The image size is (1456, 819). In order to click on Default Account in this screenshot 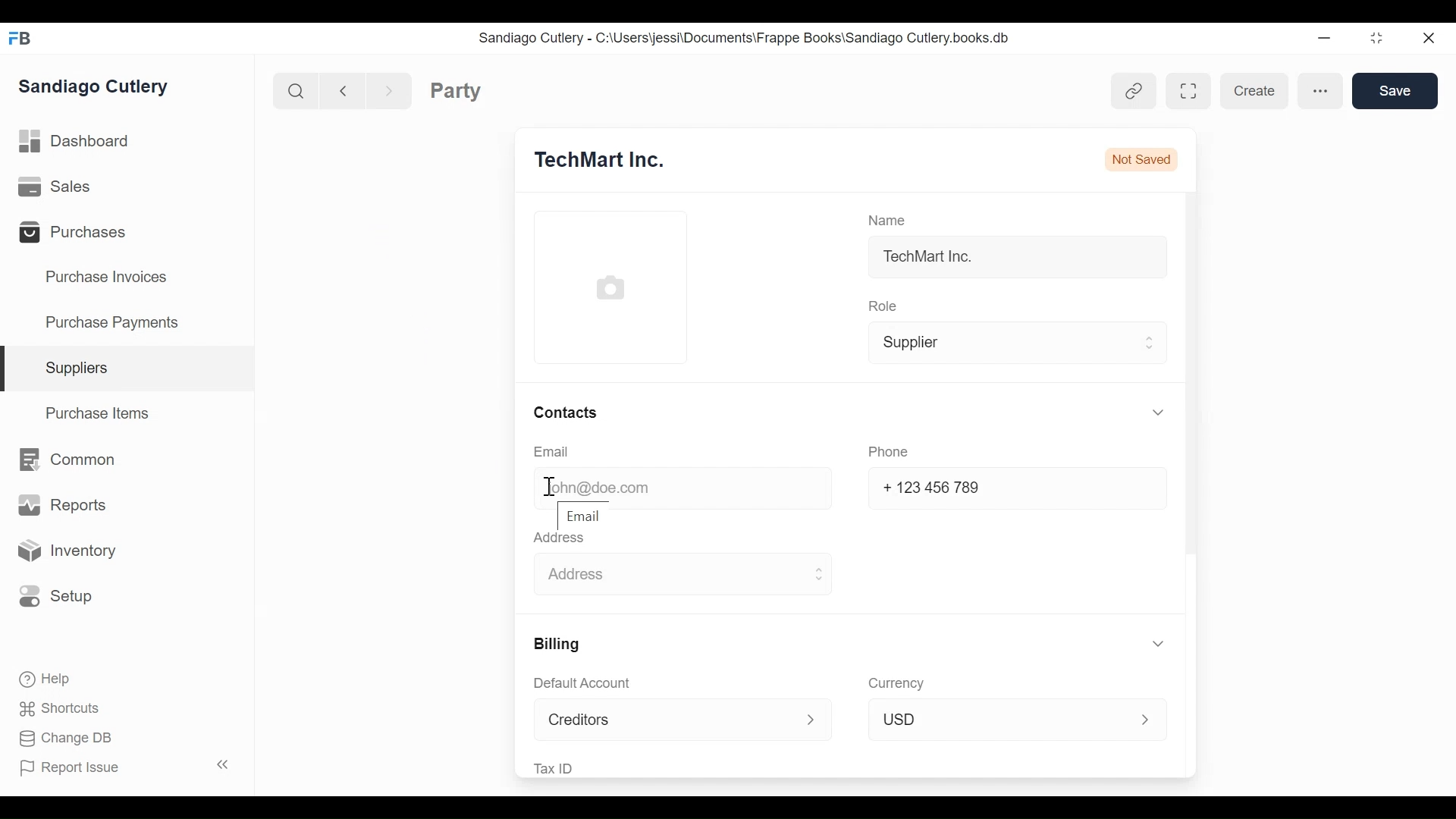, I will do `click(588, 685)`.